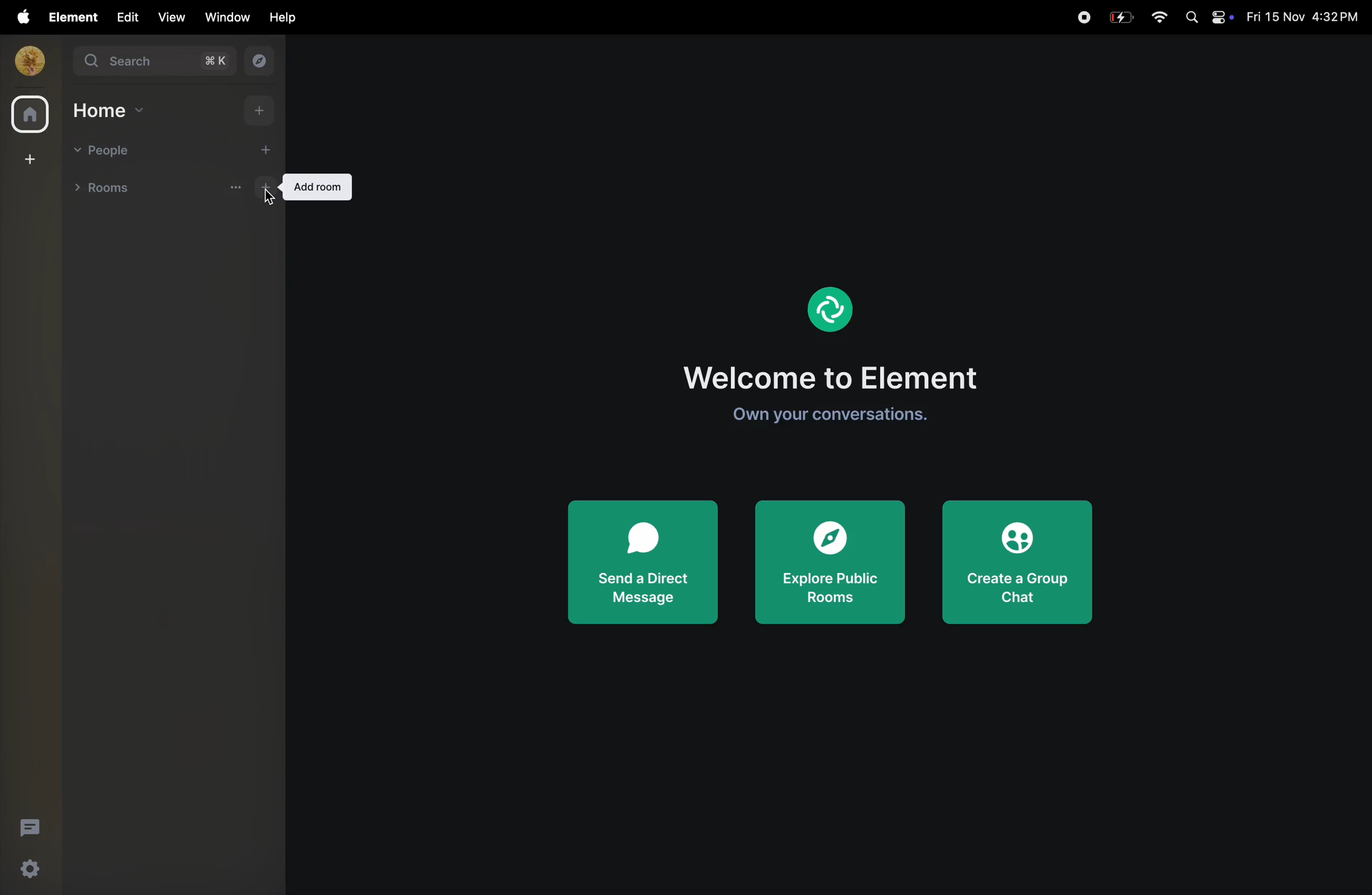 The height and width of the screenshot is (895, 1372). Describe the element at coordinates (31, 872) in the screenshot. I see `settings` at that location.